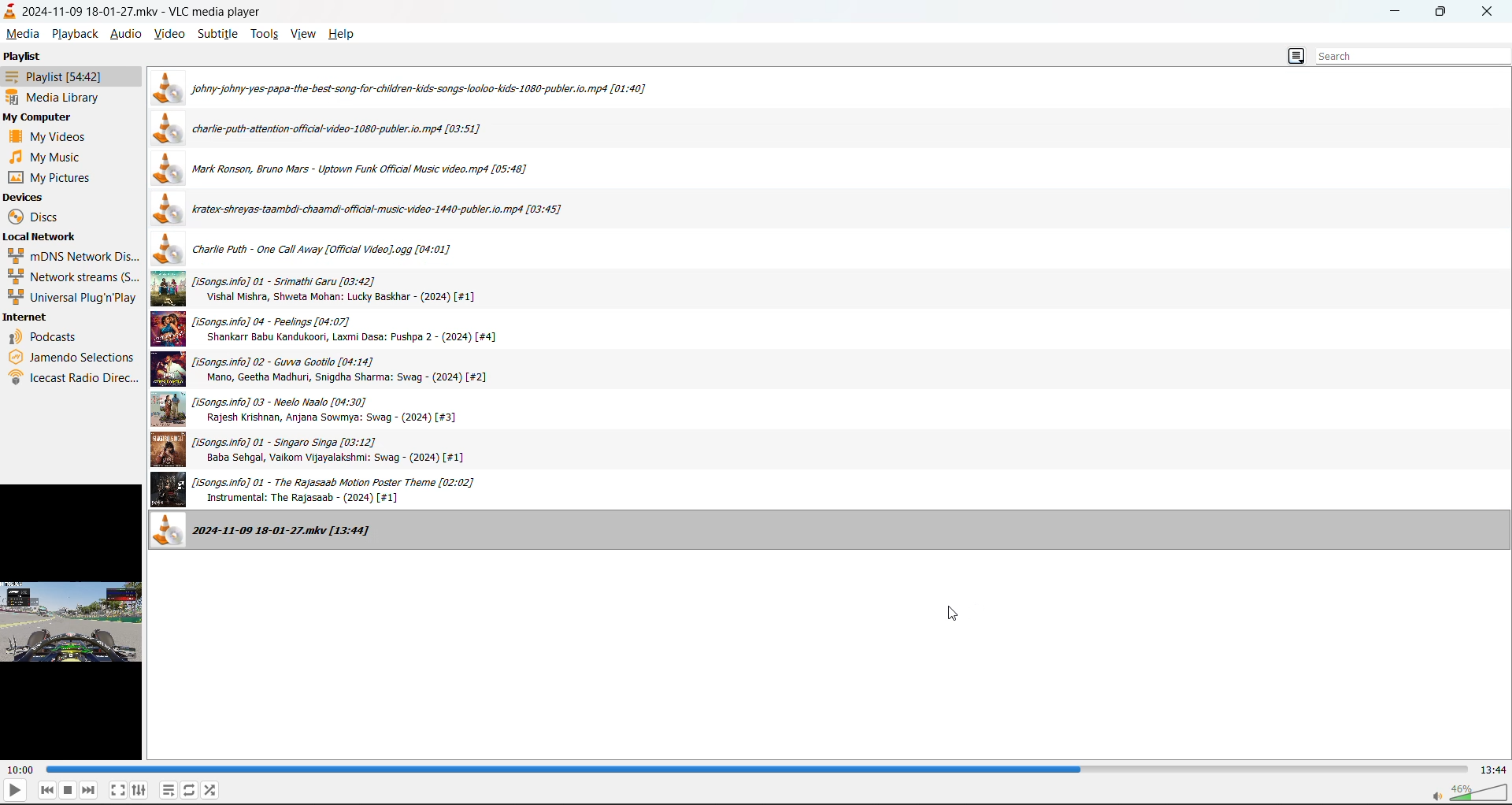 The width and height of the screenshot is (1512, 805). What do you see at coordinates (188, 789) in the screenshot?
I see `loop` at bounding box center [188, 789].